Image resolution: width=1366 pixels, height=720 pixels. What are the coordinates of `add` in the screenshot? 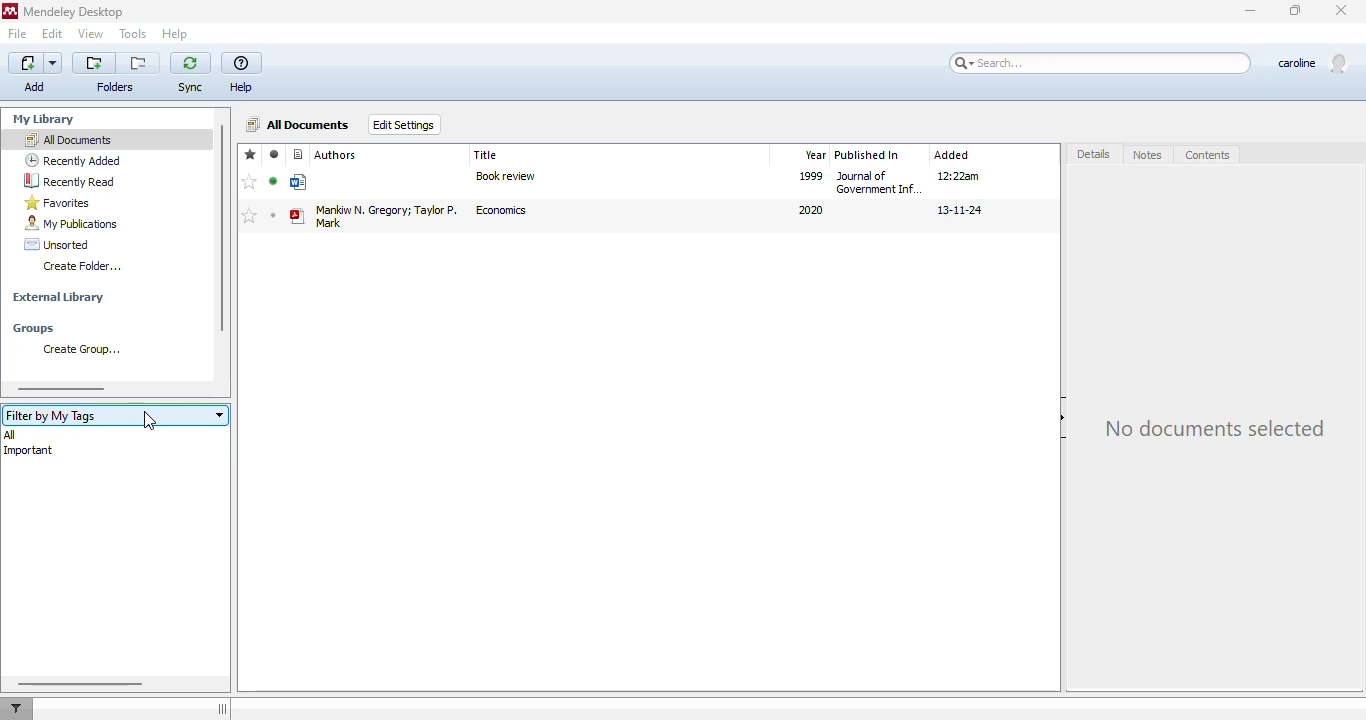 It's located at (36, 73).